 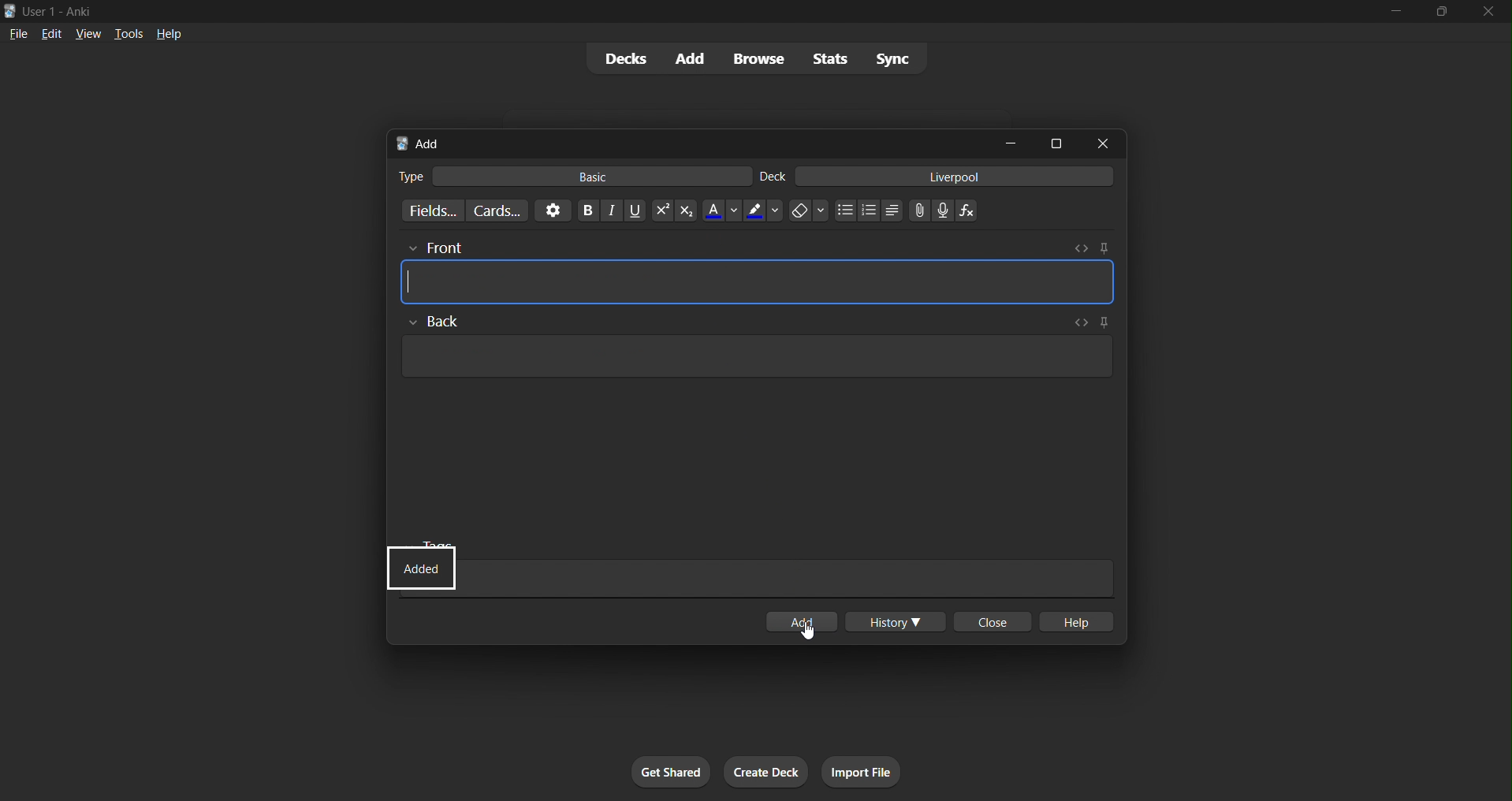 I want to click on card back input field, so click(x=757, y=346).